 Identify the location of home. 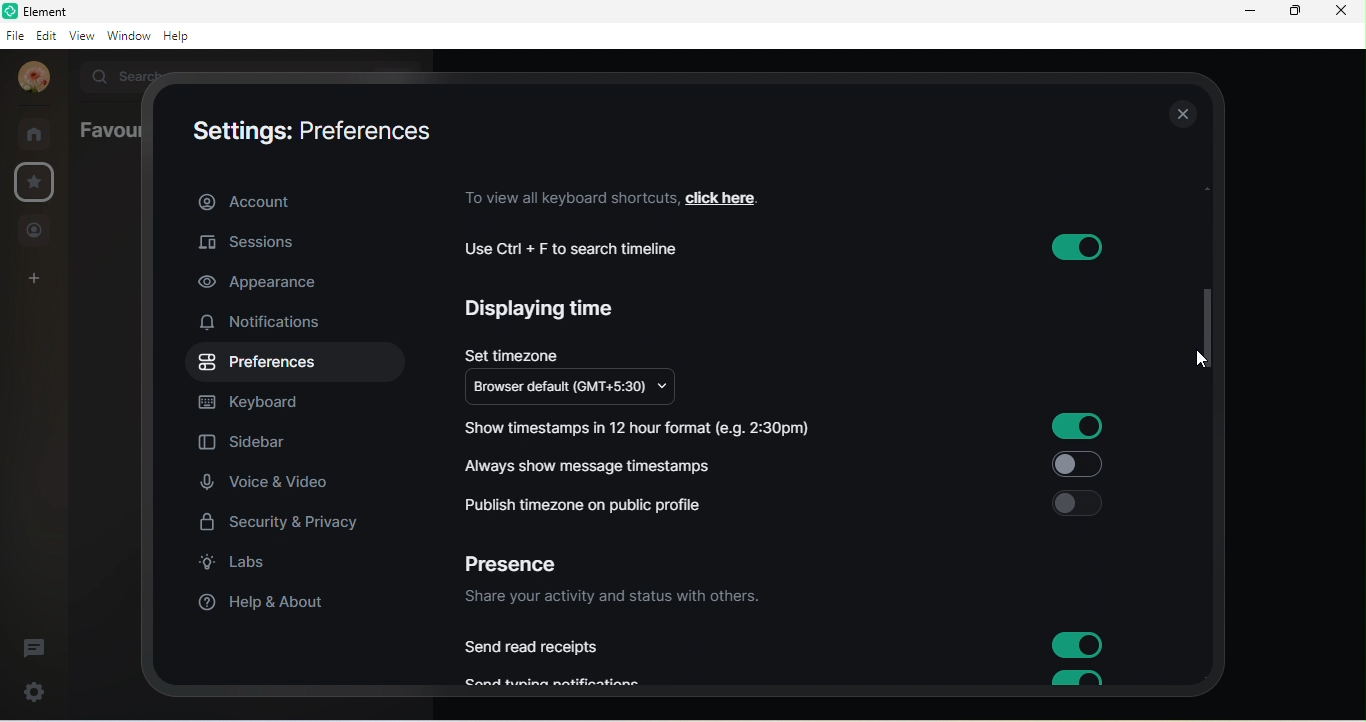
(36, 133).